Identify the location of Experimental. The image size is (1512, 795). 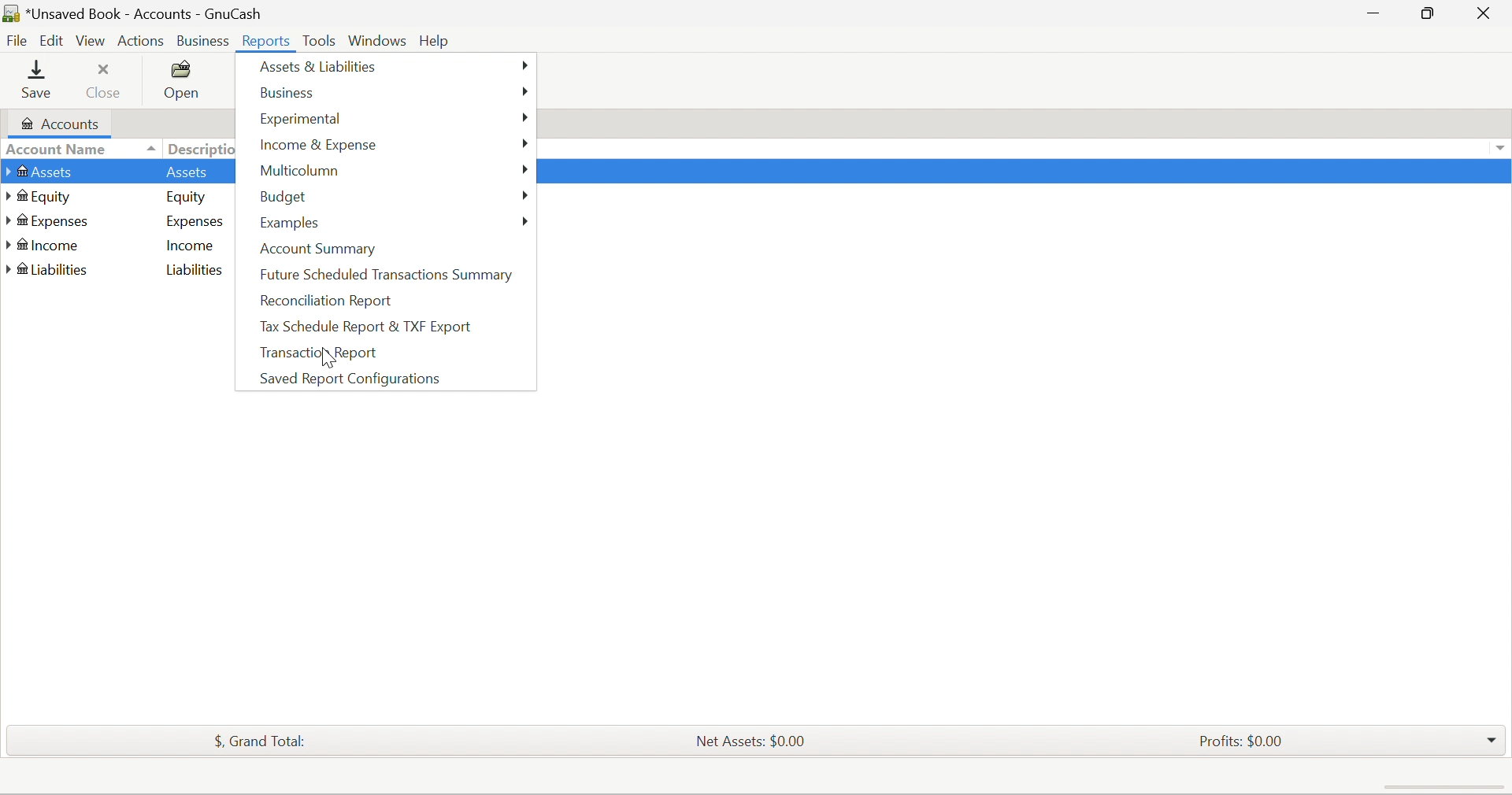
(298, 120).